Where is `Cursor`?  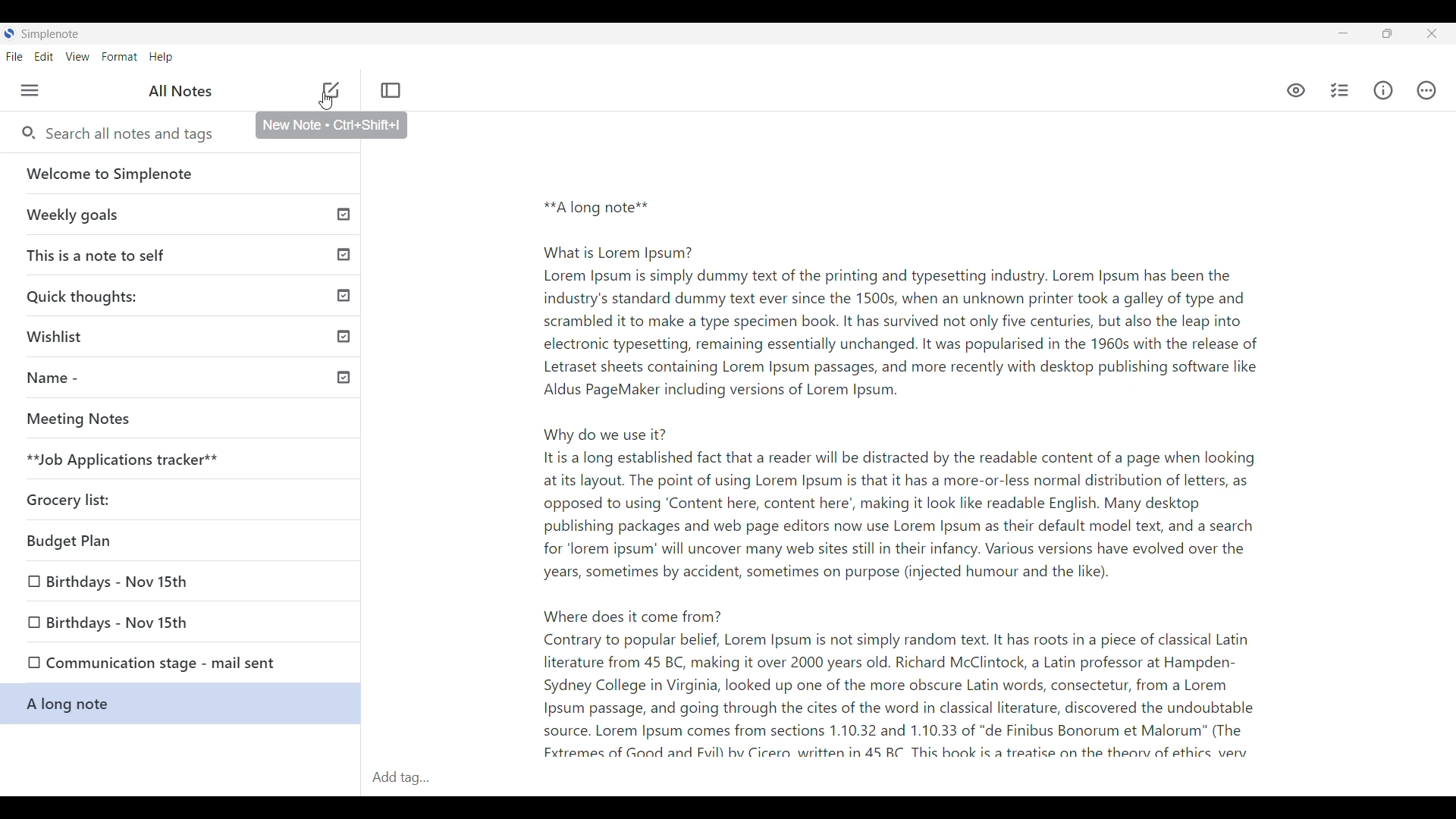
Cursor is located at coordinates (328, 105).